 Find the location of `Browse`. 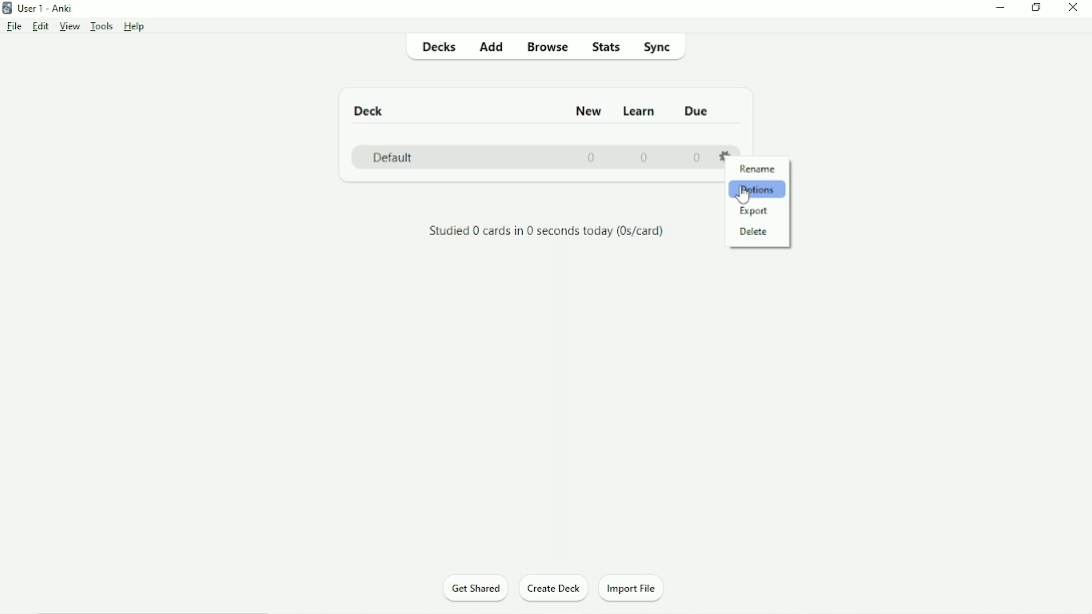

Browse is located at coordinates (549, 46).